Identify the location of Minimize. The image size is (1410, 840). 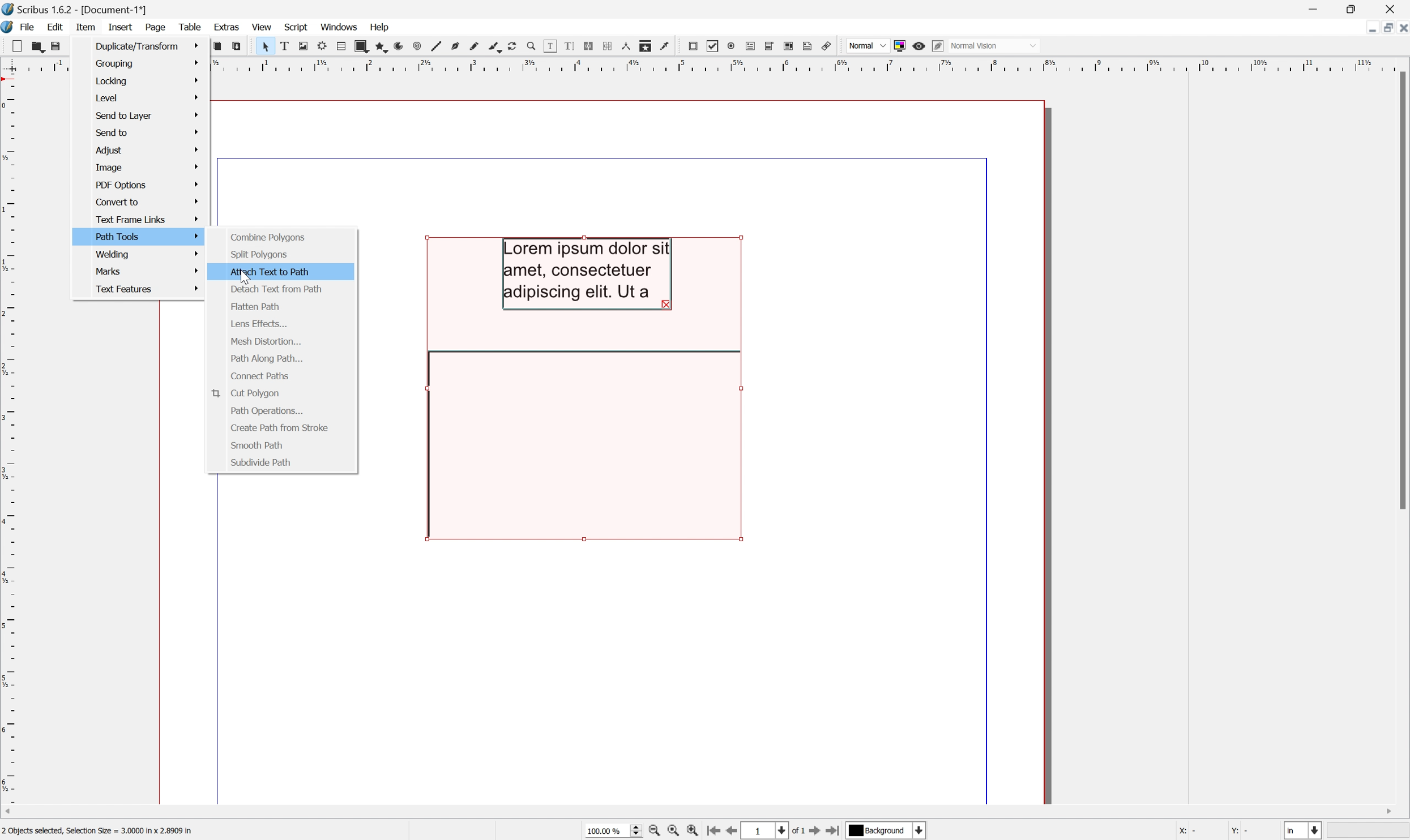
(1310, 8).